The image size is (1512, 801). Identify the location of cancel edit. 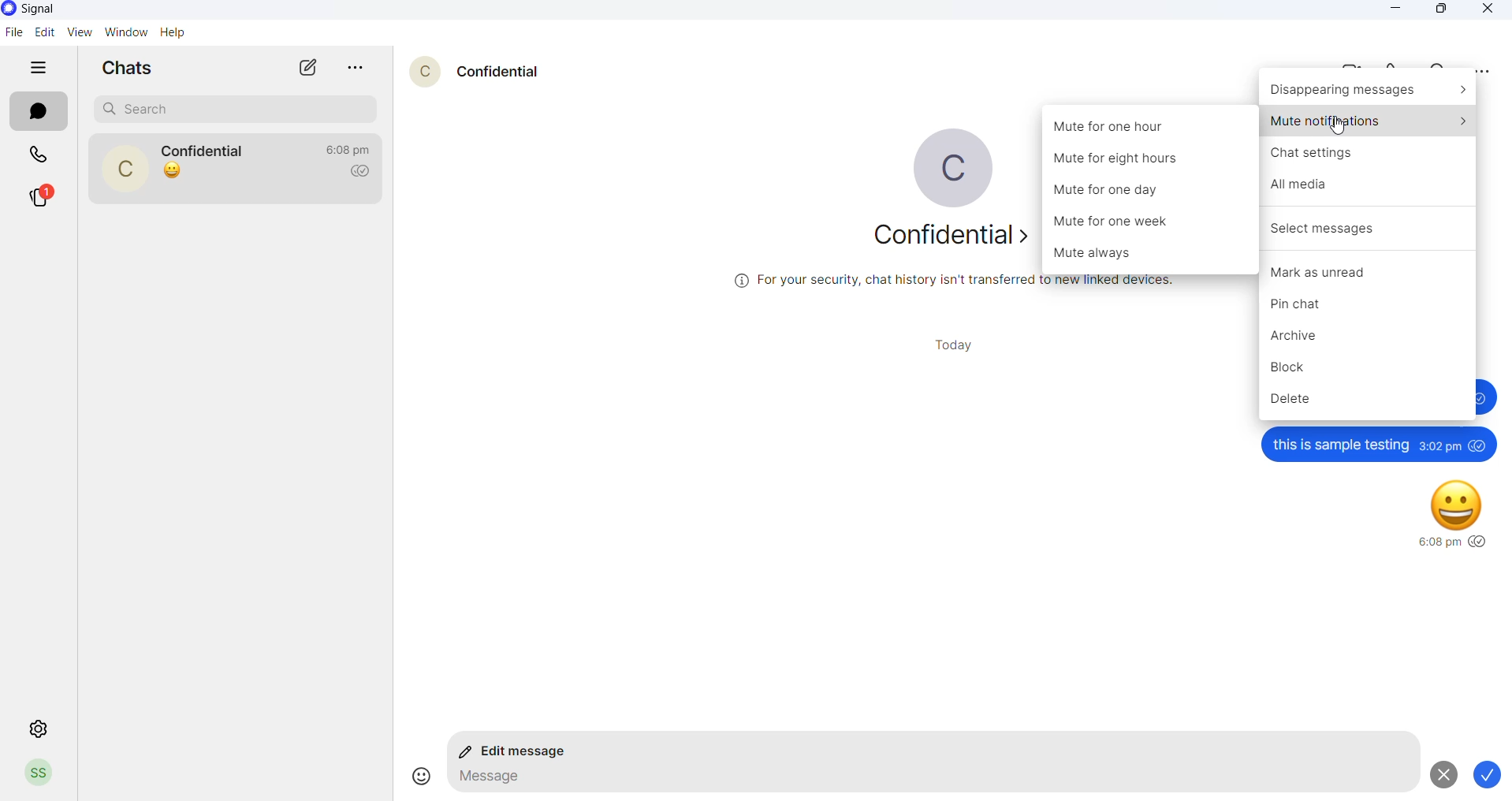
(1441, 774).